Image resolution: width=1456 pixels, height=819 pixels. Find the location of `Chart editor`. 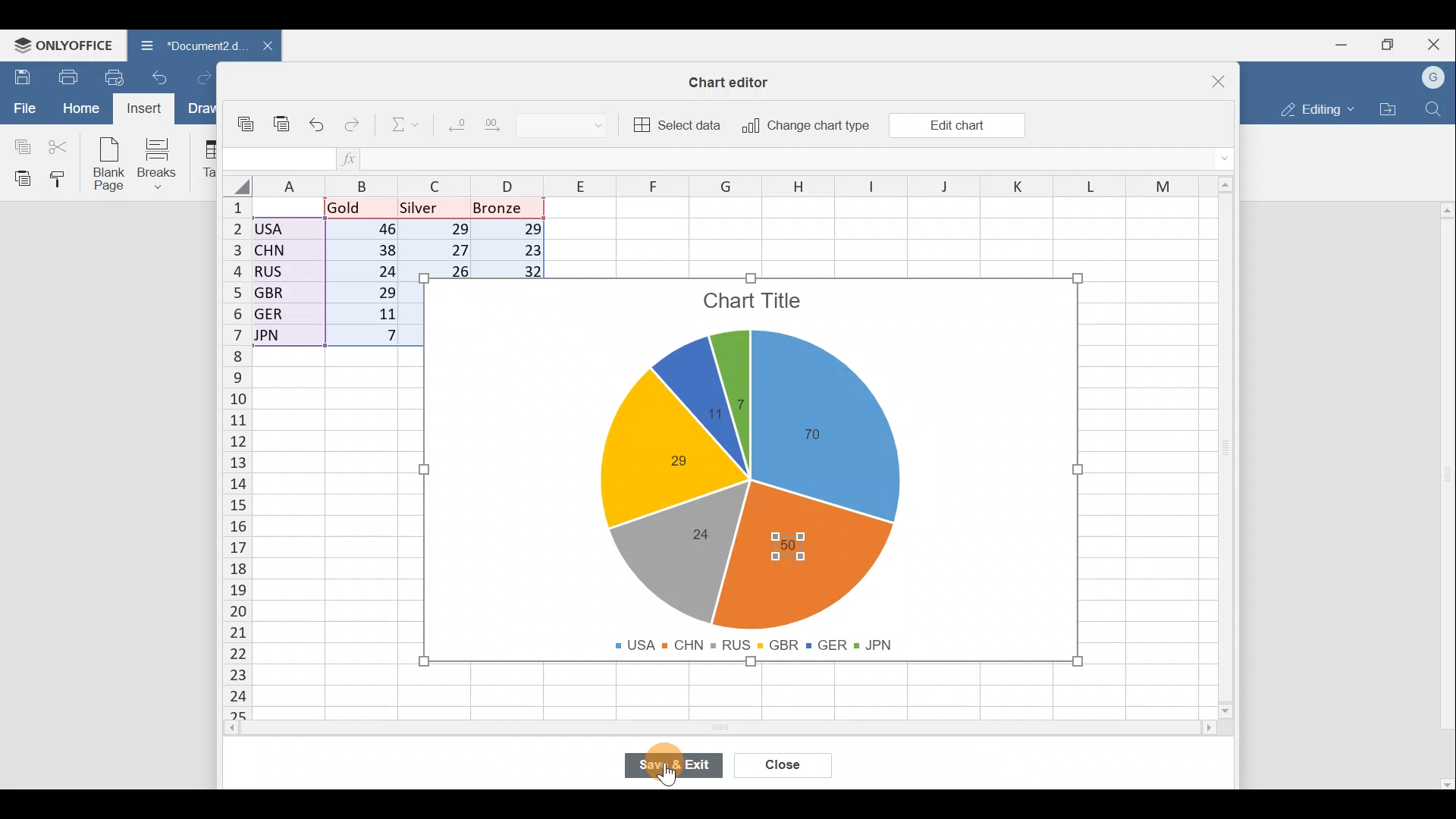

Chart editor is located at coordinates (732, 82).